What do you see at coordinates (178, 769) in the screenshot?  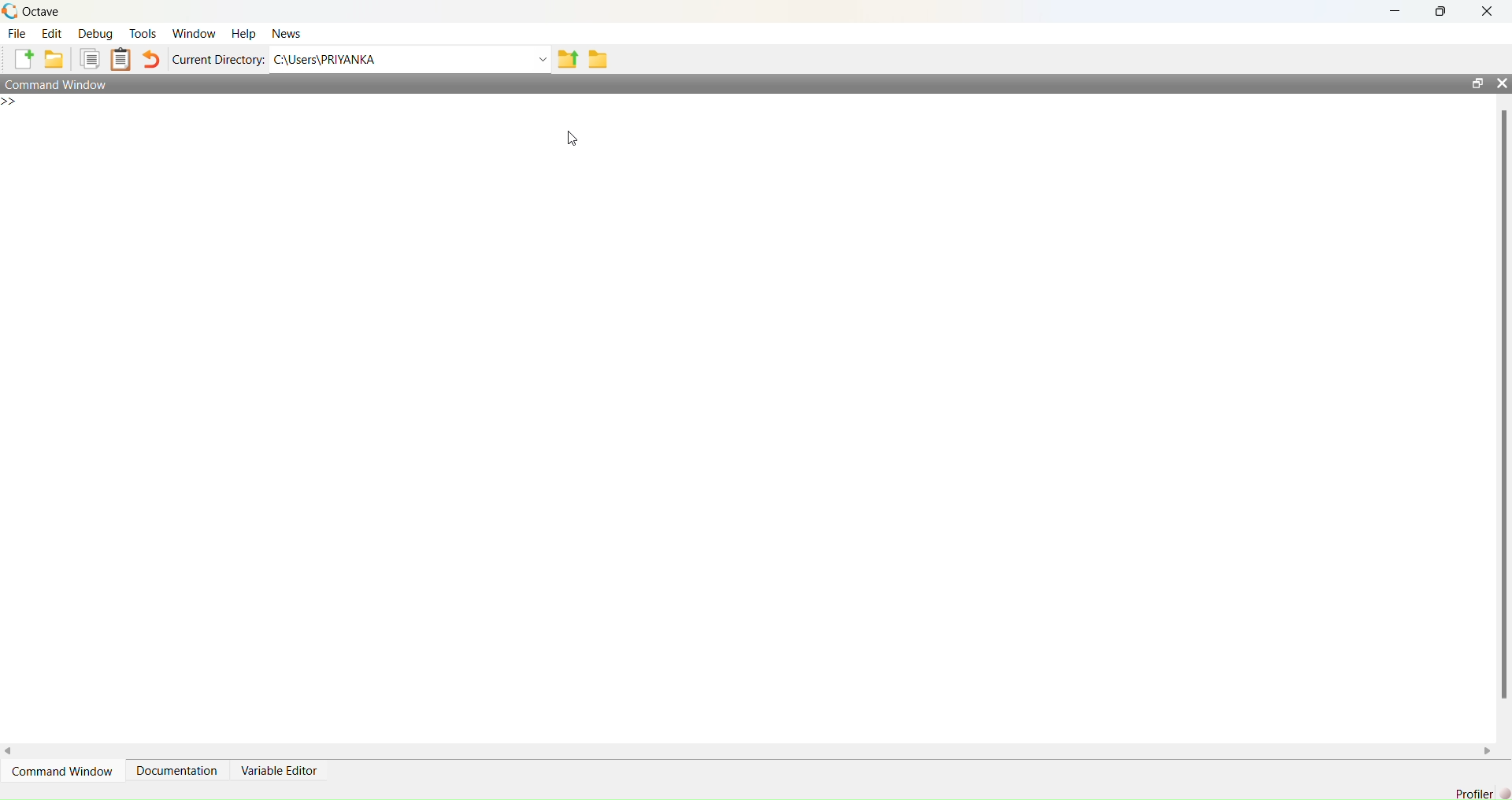 I see `Documentation` at bounding box center [178, 769].